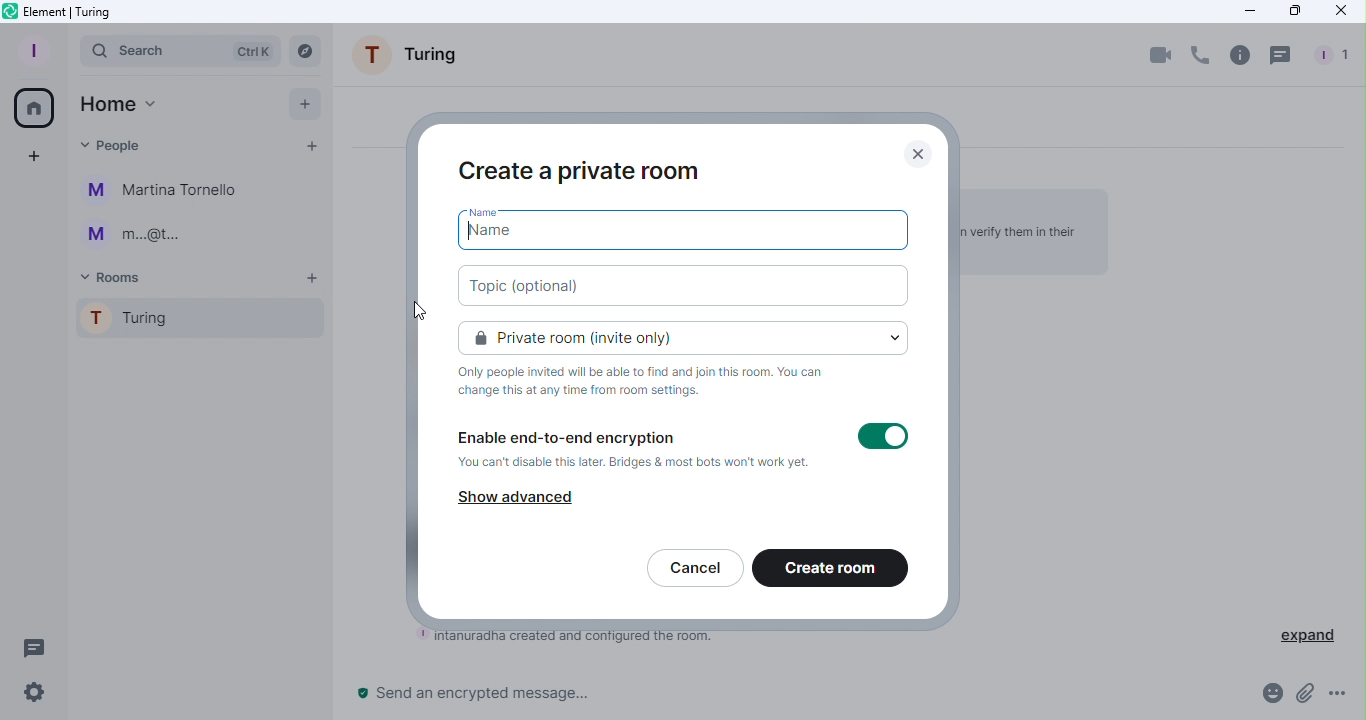  What do you see at coordinates (924, 152) in the screenshot?
I see `Close` at bounding box center [924, 152].